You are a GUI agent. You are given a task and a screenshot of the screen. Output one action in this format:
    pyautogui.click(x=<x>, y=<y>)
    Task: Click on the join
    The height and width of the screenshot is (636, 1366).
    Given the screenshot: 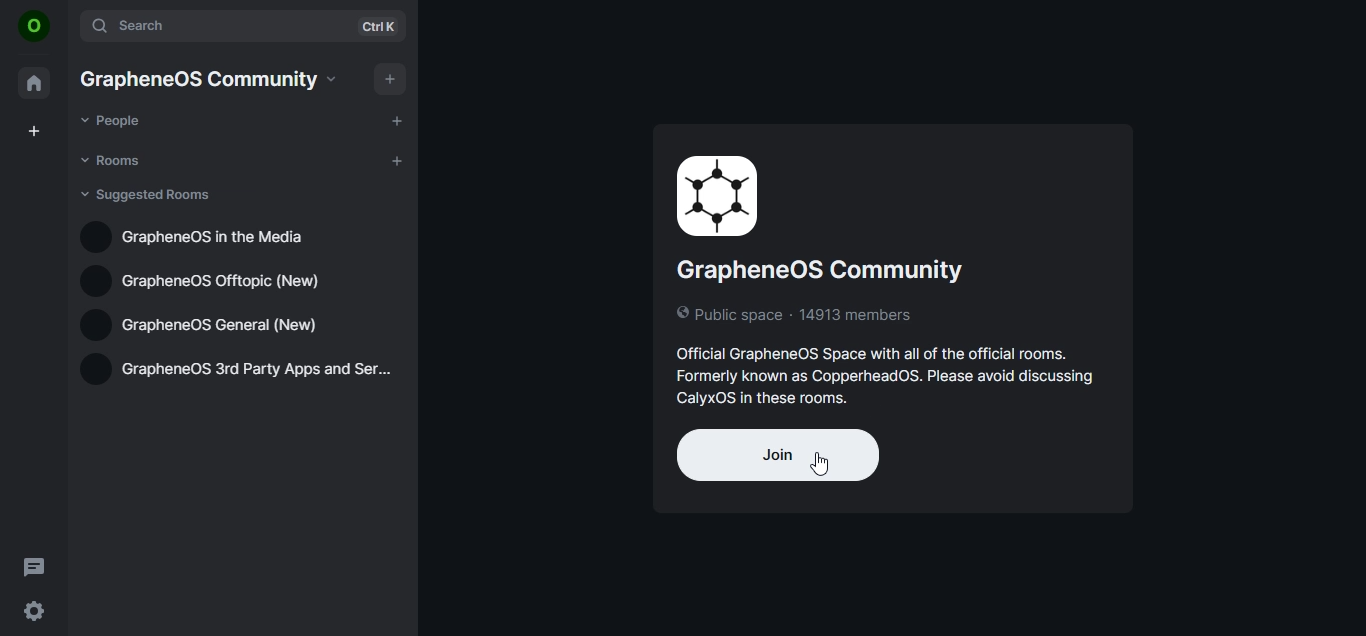 What is the action you would take?
    pyautogui.click(x=777, y=455)
    